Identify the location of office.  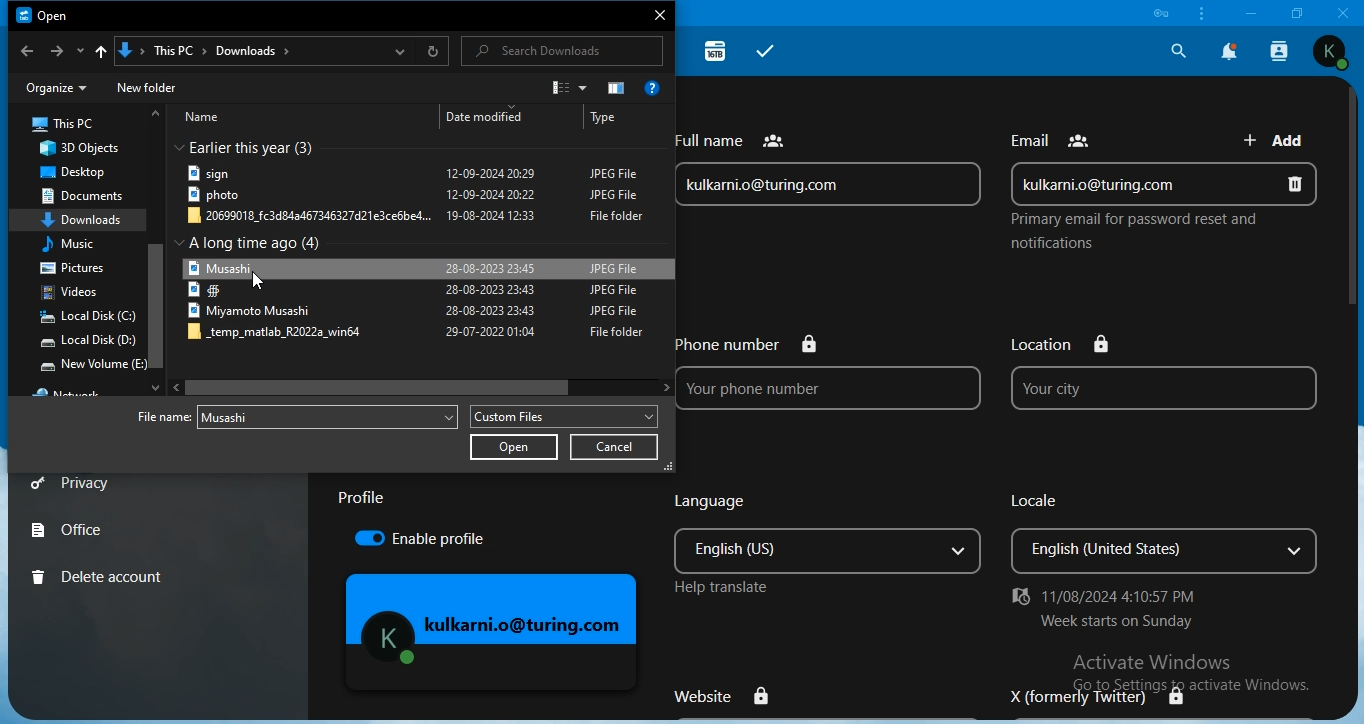
(70, 528).